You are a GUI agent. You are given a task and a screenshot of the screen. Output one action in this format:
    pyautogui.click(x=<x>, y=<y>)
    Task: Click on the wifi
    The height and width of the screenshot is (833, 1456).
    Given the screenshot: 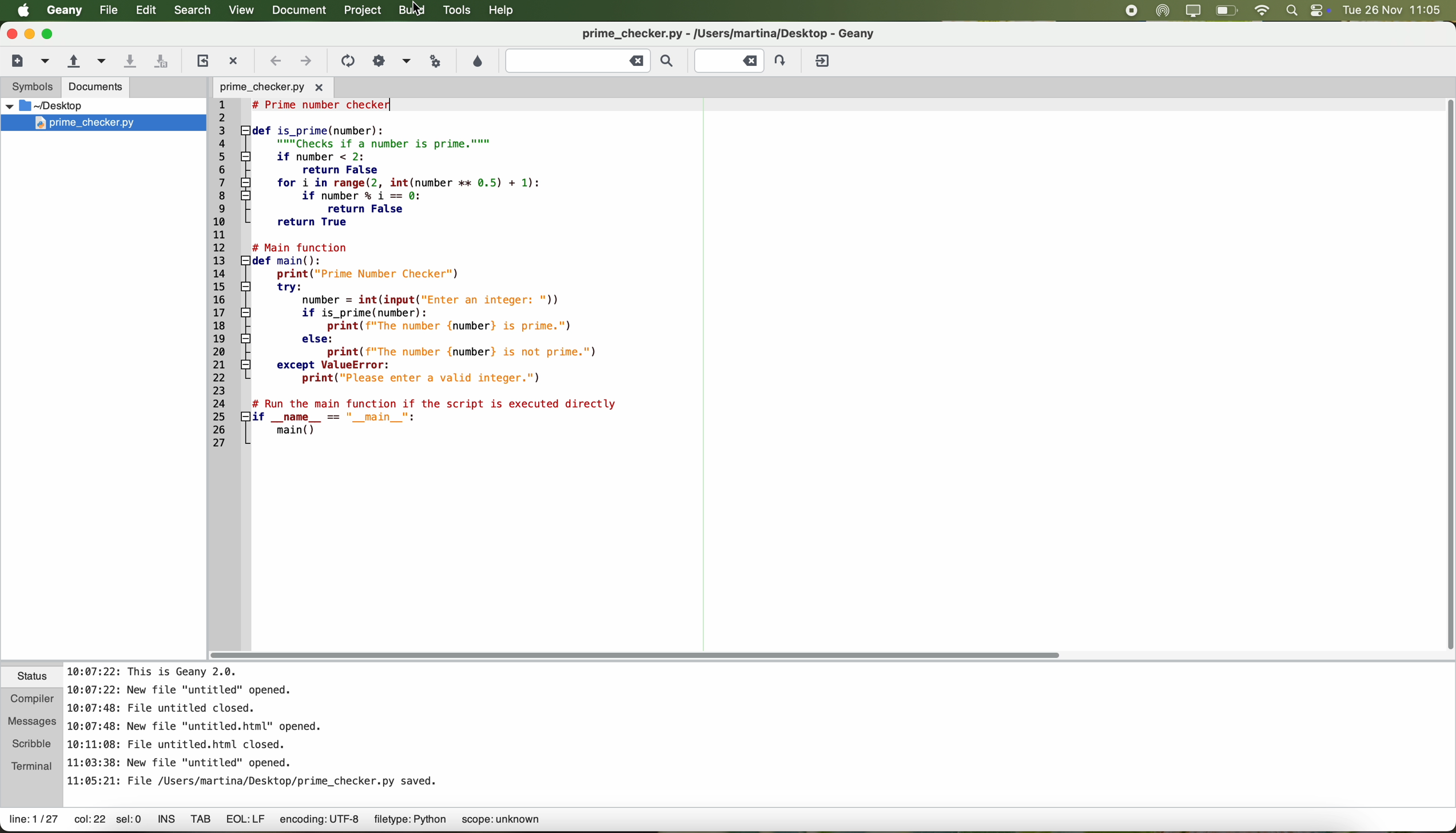 What is the action you would take?
    pyautogui.click(x=1263, y=10)
    